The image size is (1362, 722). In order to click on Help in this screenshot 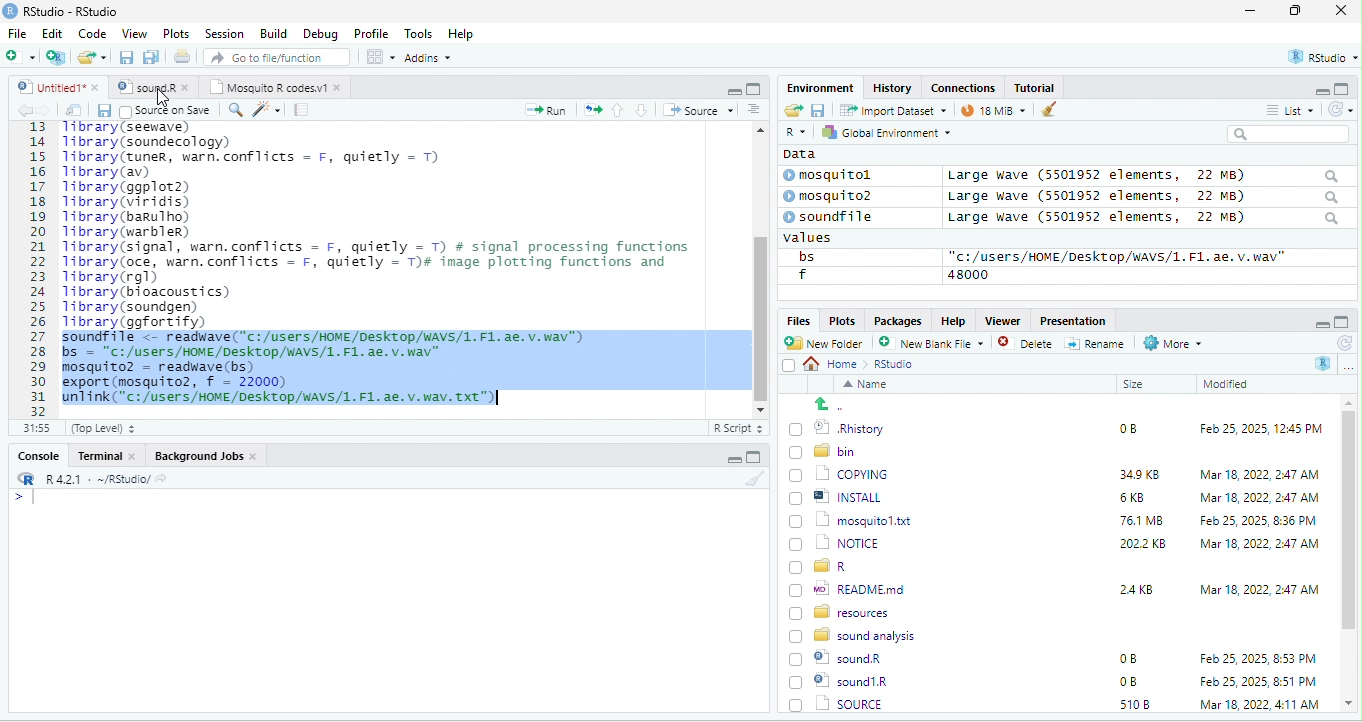, I will do `click(462, 35)`.